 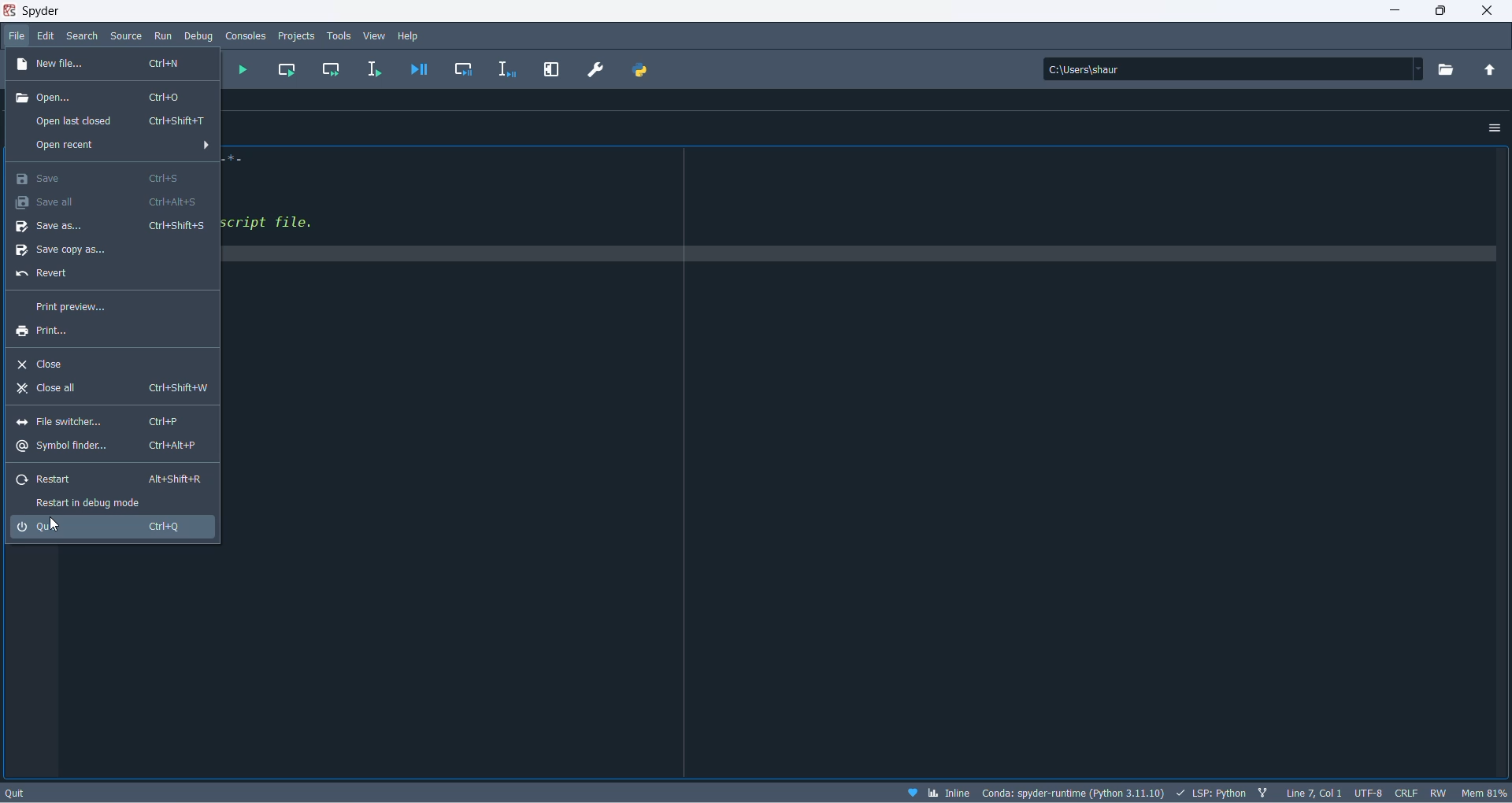 What do you see at coordinates (1424, 68) in the screenshot?
I see `dropdown` at bounding box center [1424, 68].